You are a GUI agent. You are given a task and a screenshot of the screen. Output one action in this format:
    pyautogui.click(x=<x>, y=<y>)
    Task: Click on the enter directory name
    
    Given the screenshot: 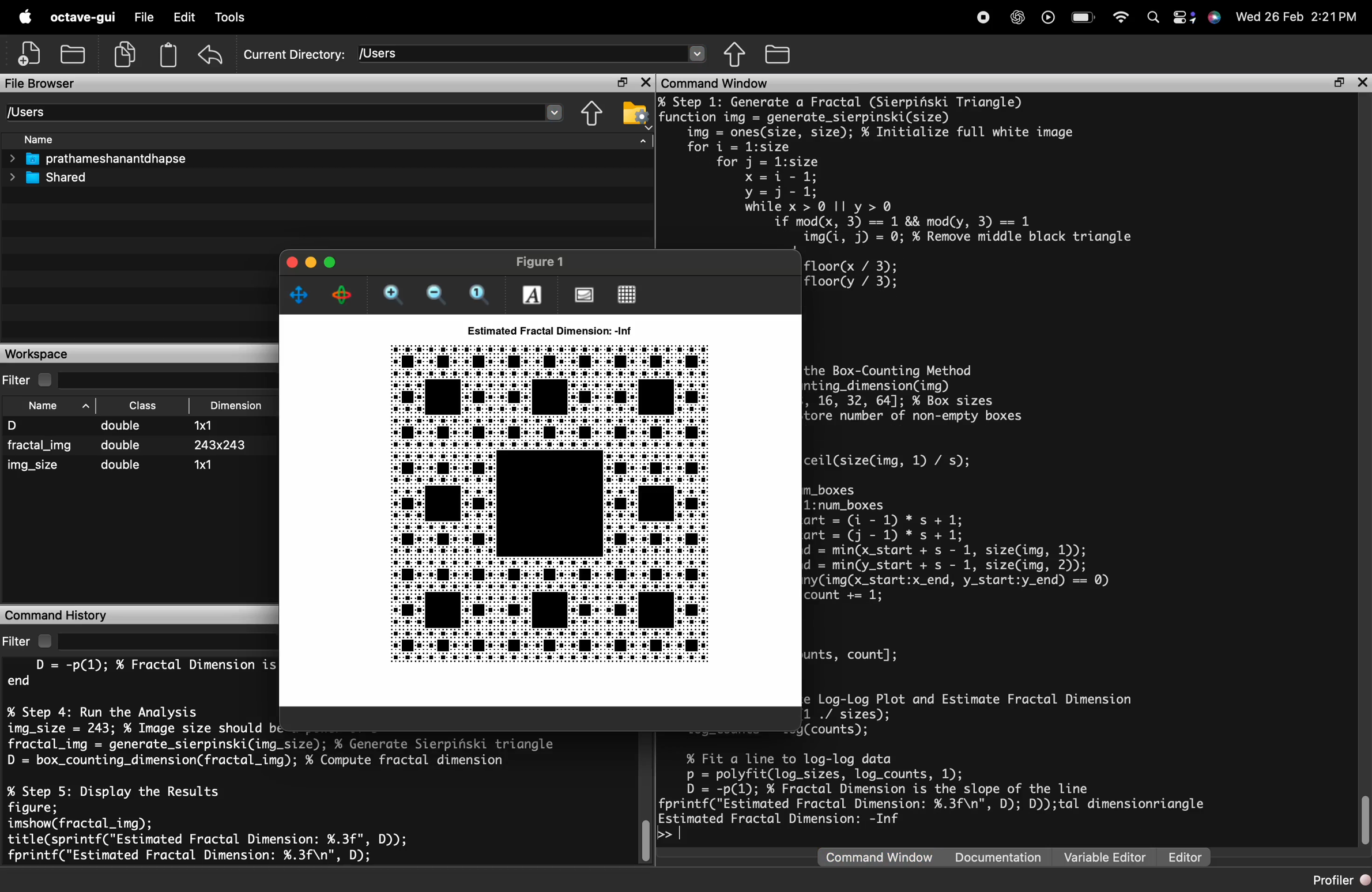 What is the action you would take?
    pyautogui.click(x=515, y=54)
    